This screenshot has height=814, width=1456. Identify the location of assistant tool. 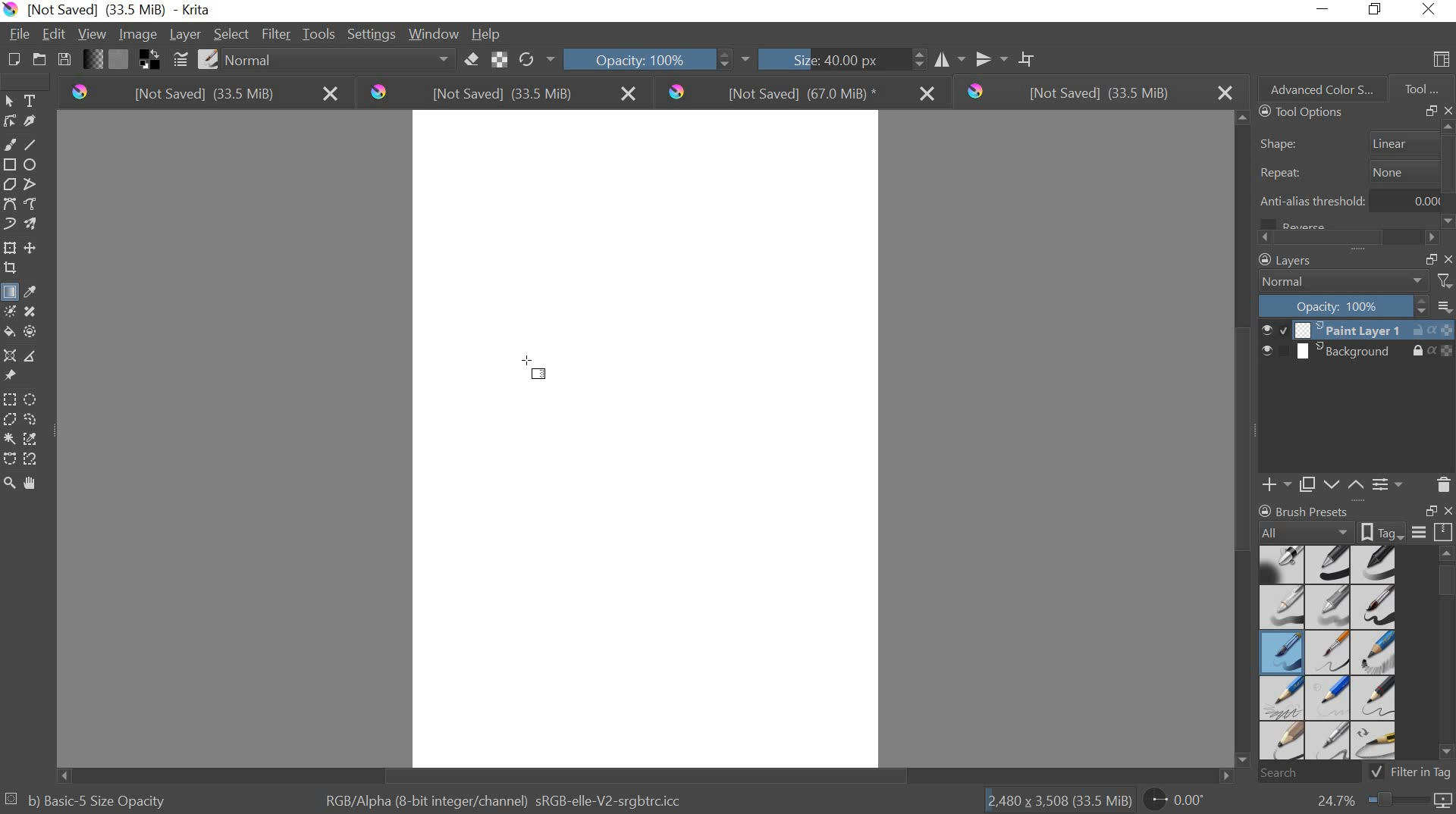
(9, 355).